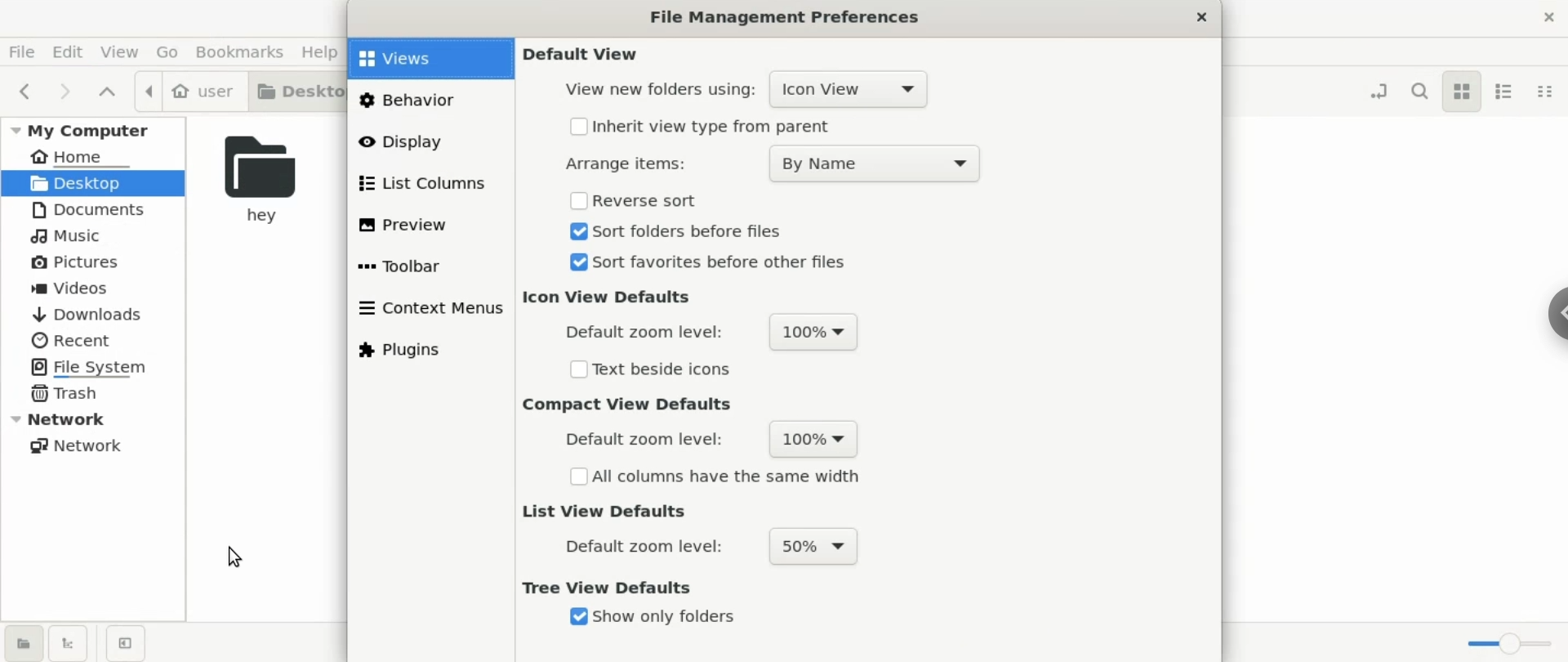 The width and height of the screenshot is (1568, 662). What do you see at coordinates (71, 53) in the screenshot?
I see `edit` at bounding box center [71, 53].